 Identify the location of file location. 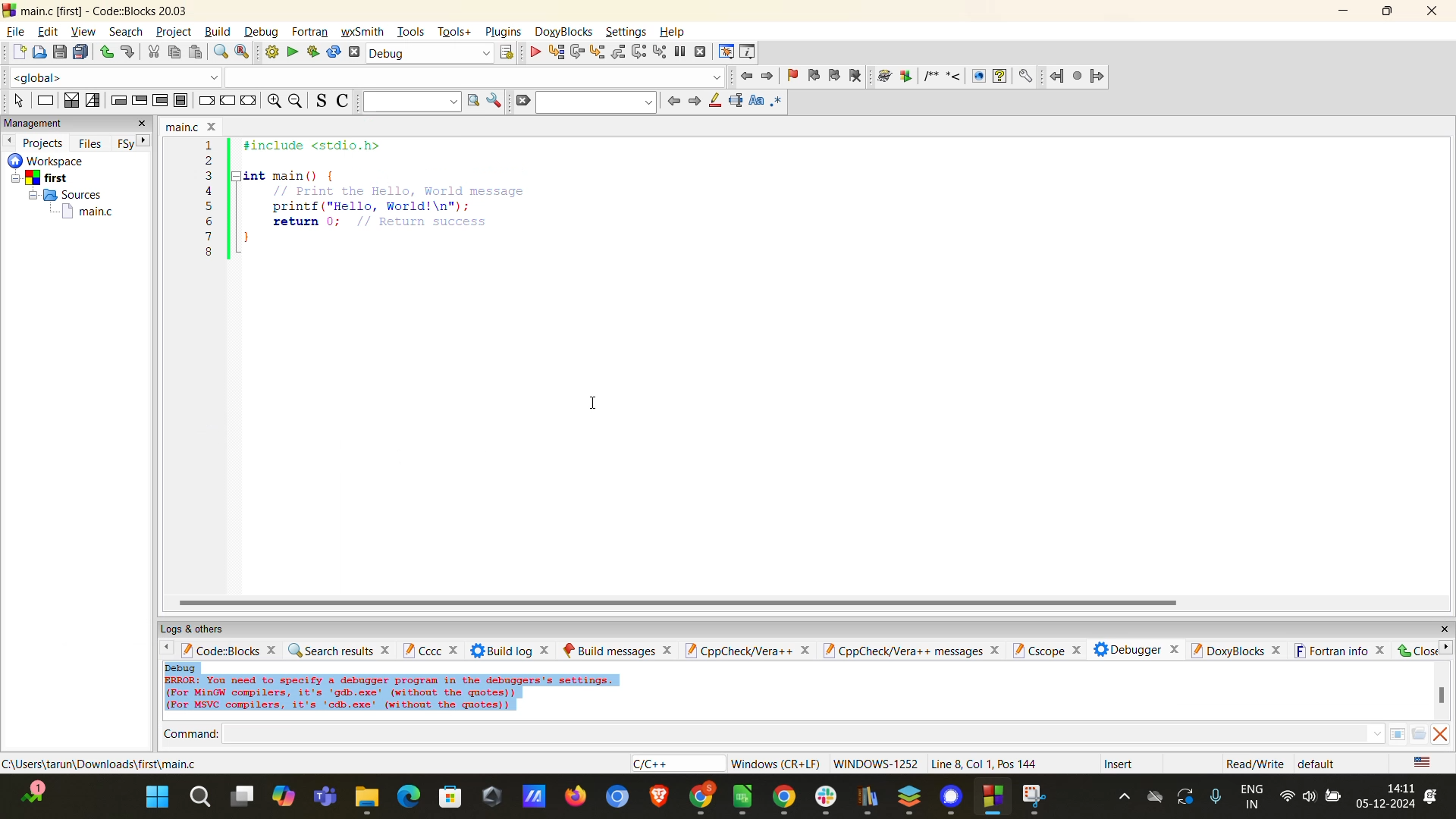
(99, 761).